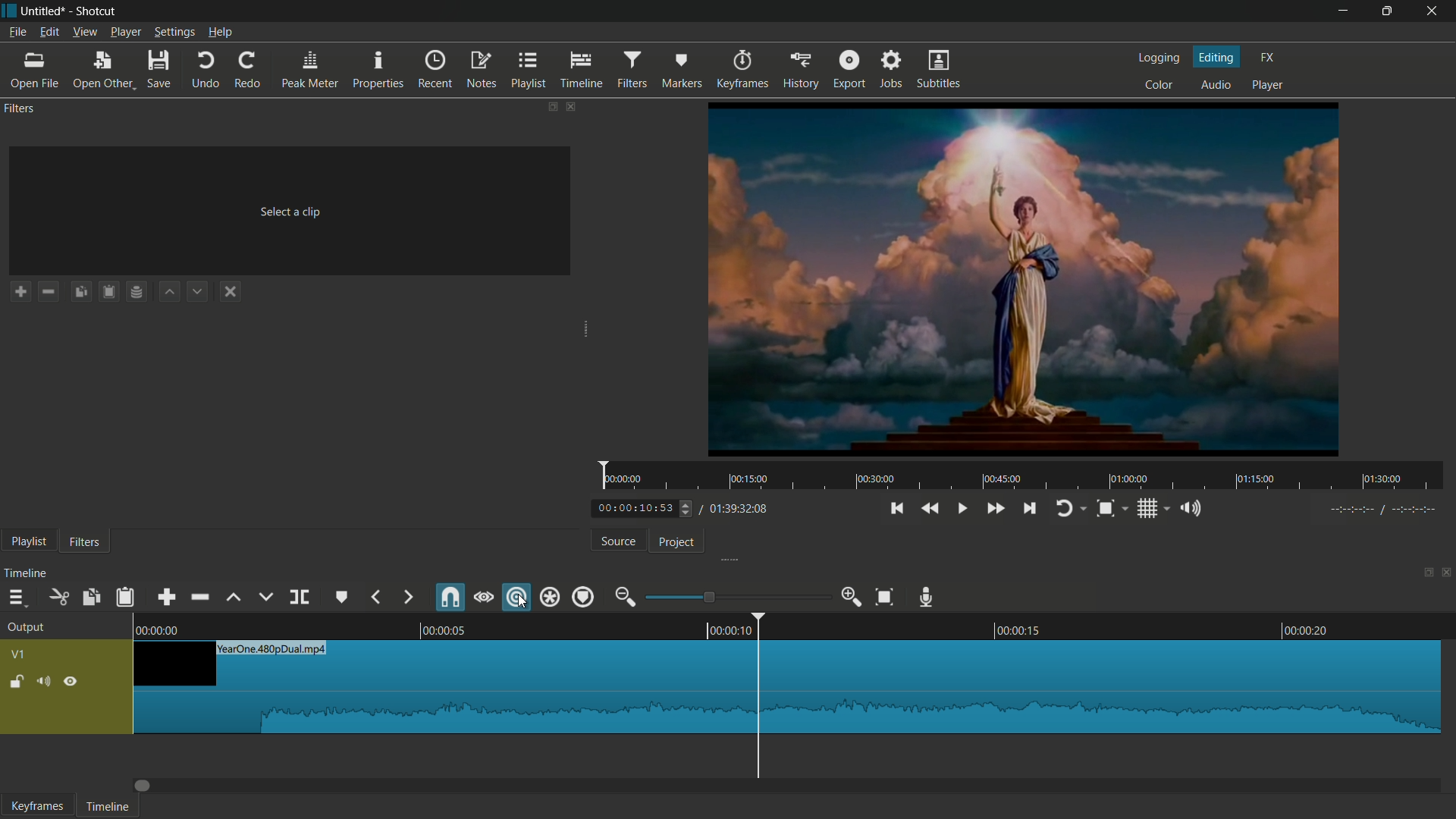 This screenshot has width=1456, height=819. Describe the element at coordinates (1267, 58) in the screenshot. I see `fx` at that location.